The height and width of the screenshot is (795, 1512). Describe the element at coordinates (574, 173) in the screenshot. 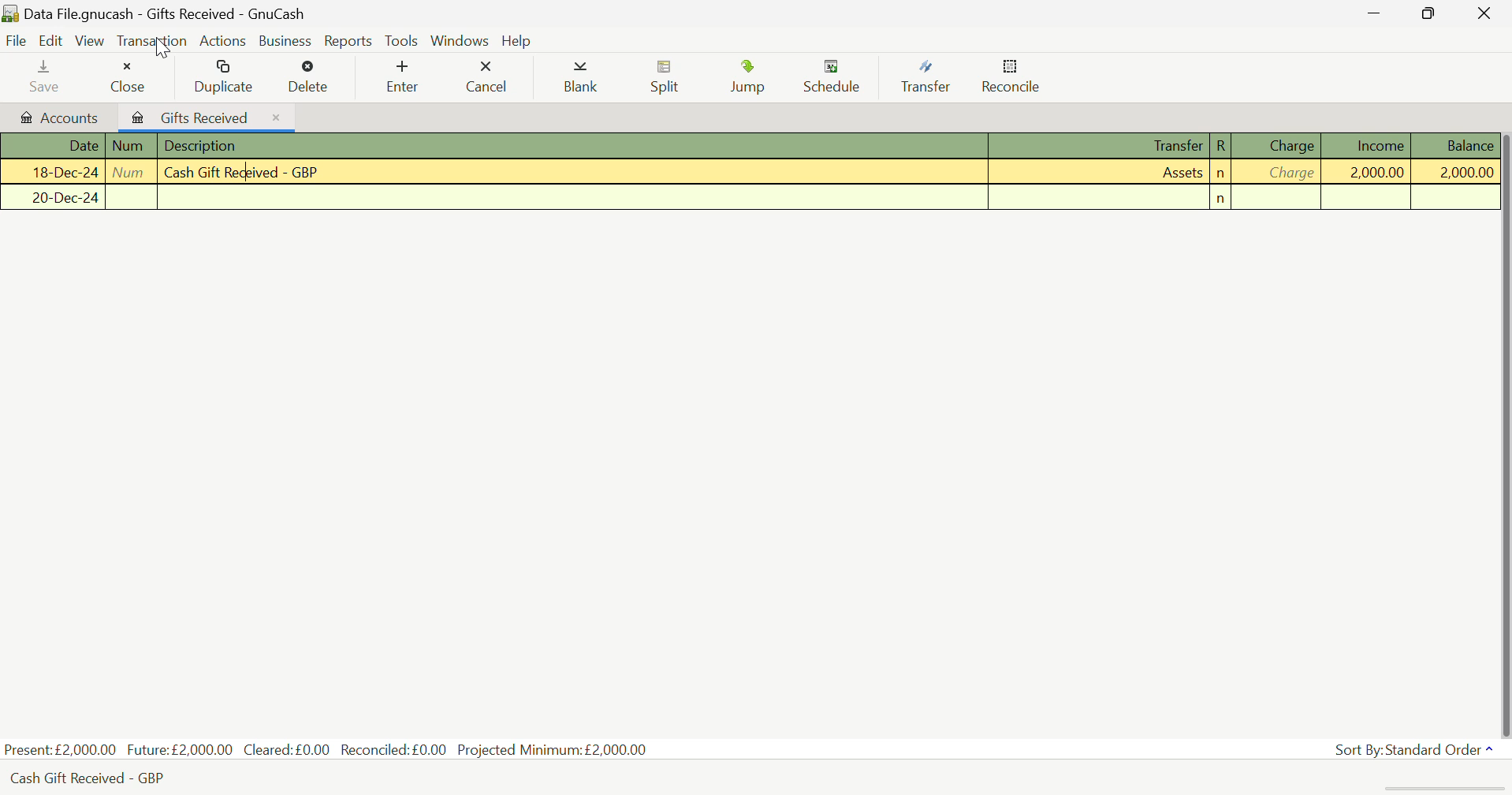

I see `Cash Received` at that location.